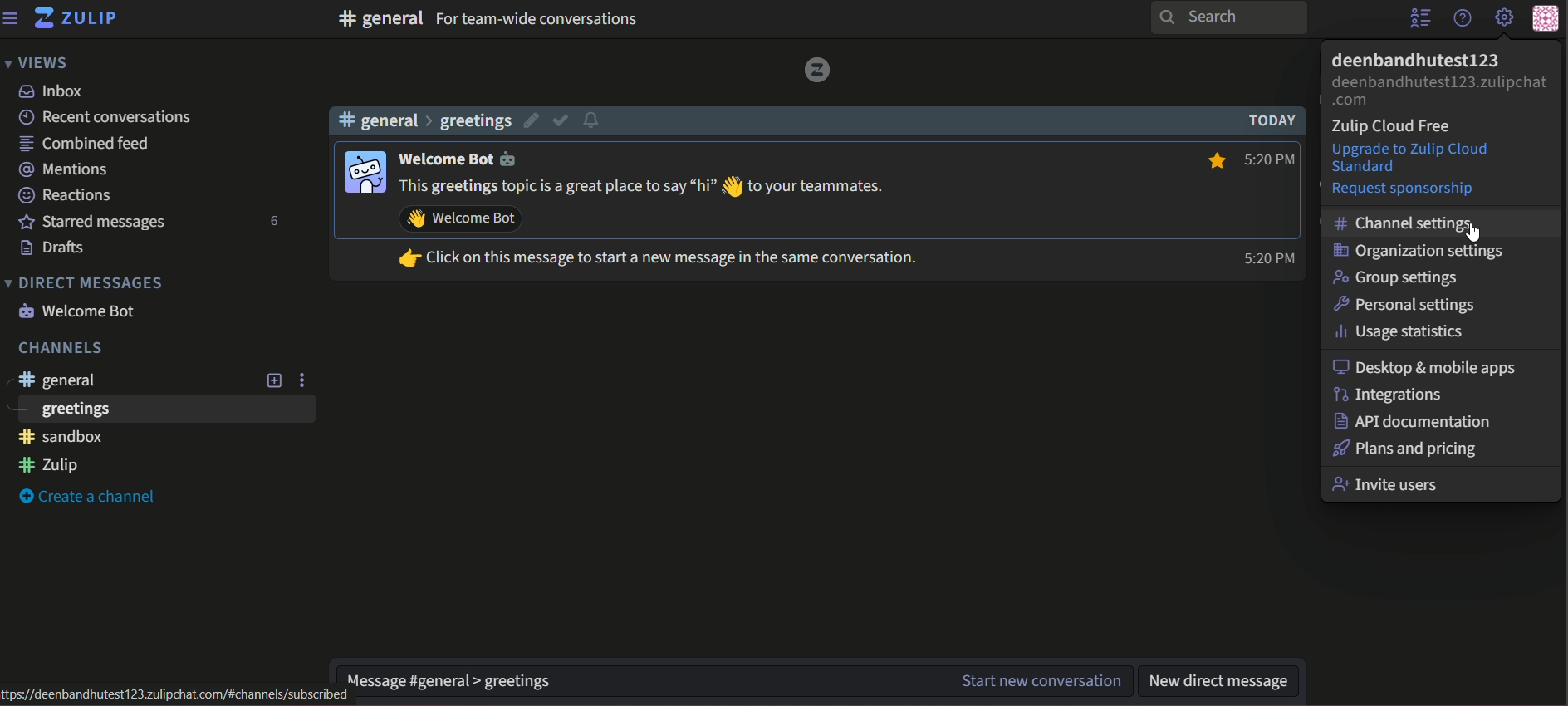 This screenshot has height=706, width=1568. Describe the element at coordinates (439, 676) in the screenshot. I see `settings` at that location.